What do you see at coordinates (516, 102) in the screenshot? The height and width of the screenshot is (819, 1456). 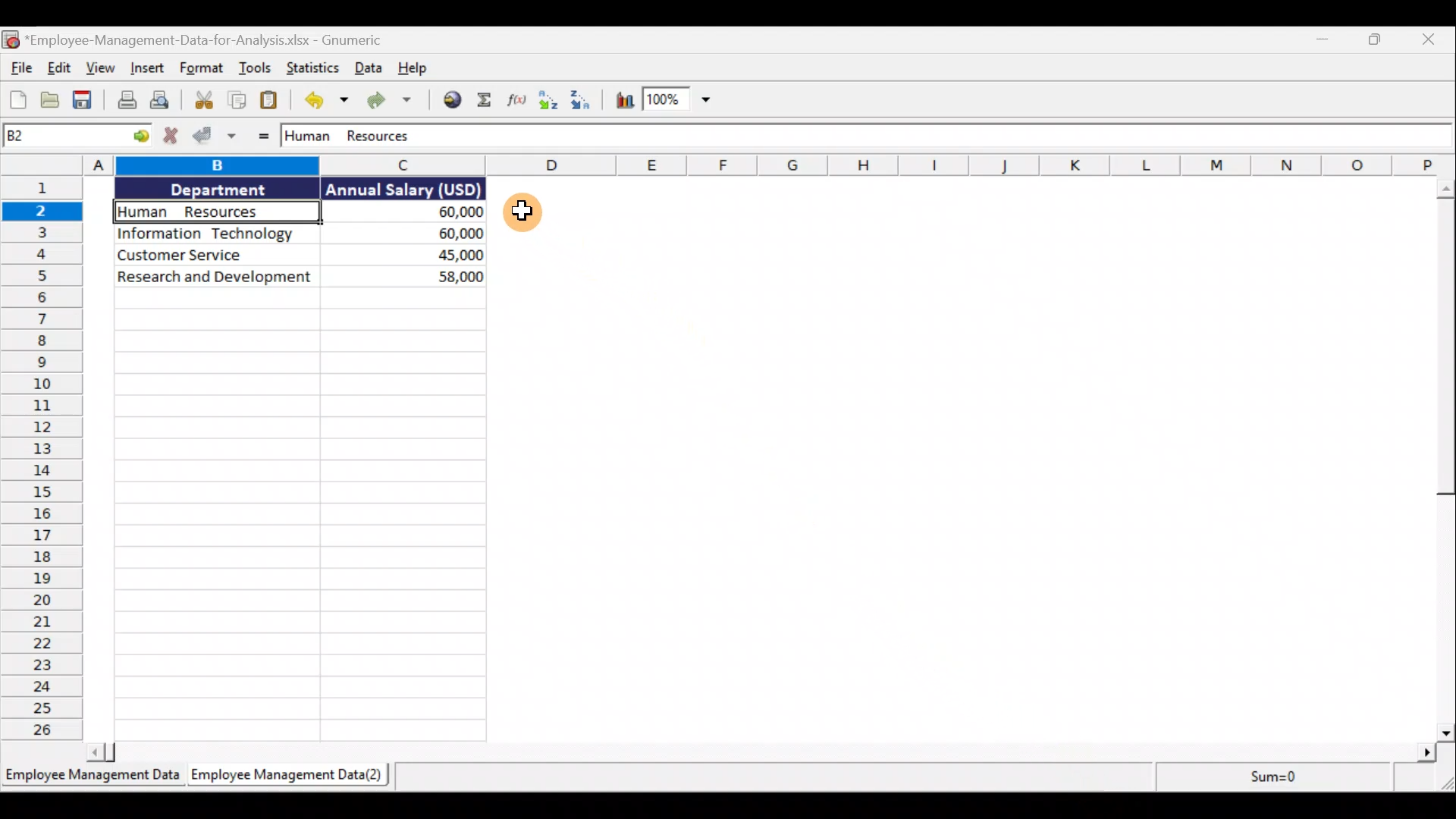 I see `Edit a function in the current cell` at bounding box center [516, 102].